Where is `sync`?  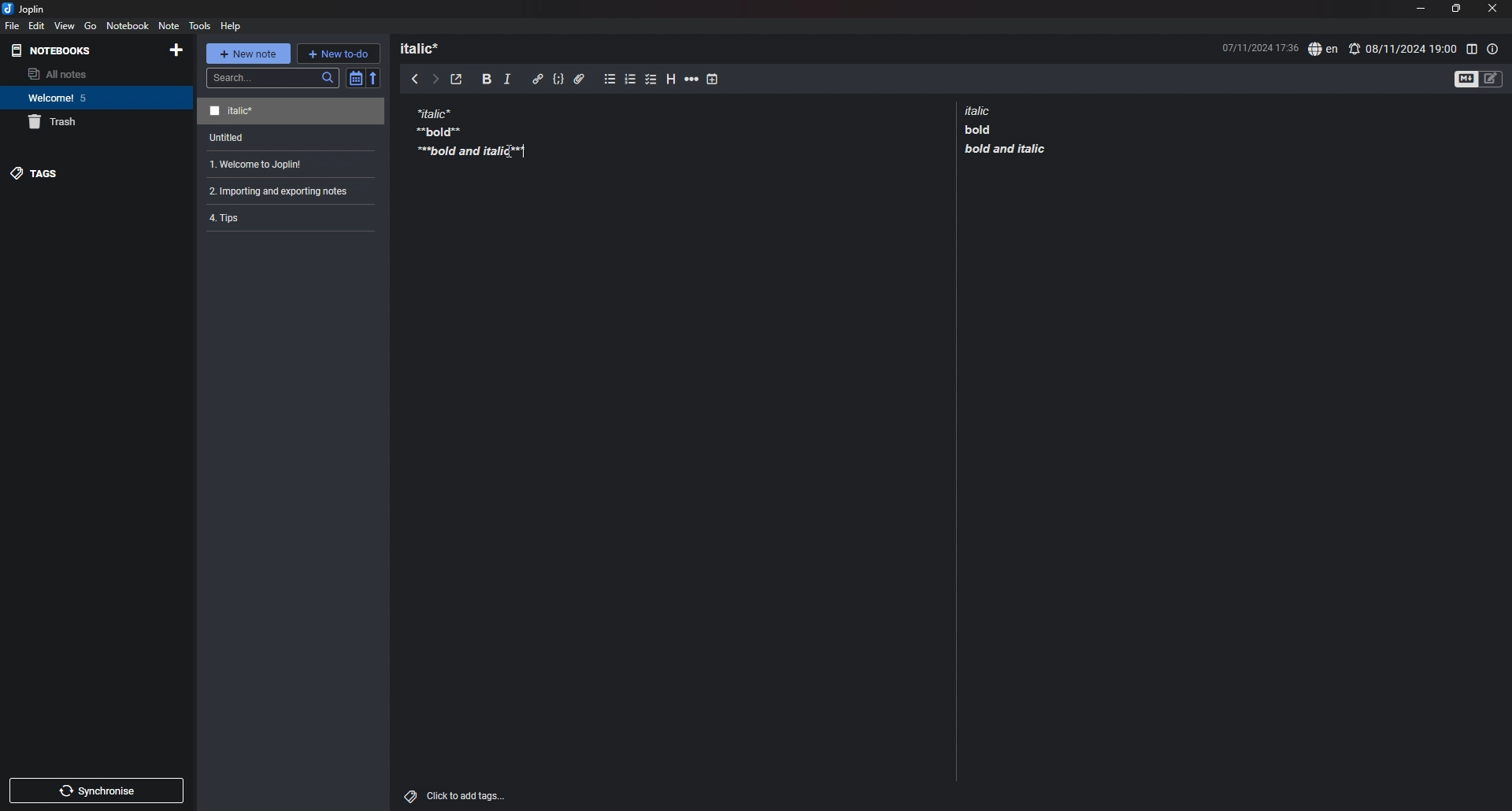
sync is located at coordinates (98, 791).